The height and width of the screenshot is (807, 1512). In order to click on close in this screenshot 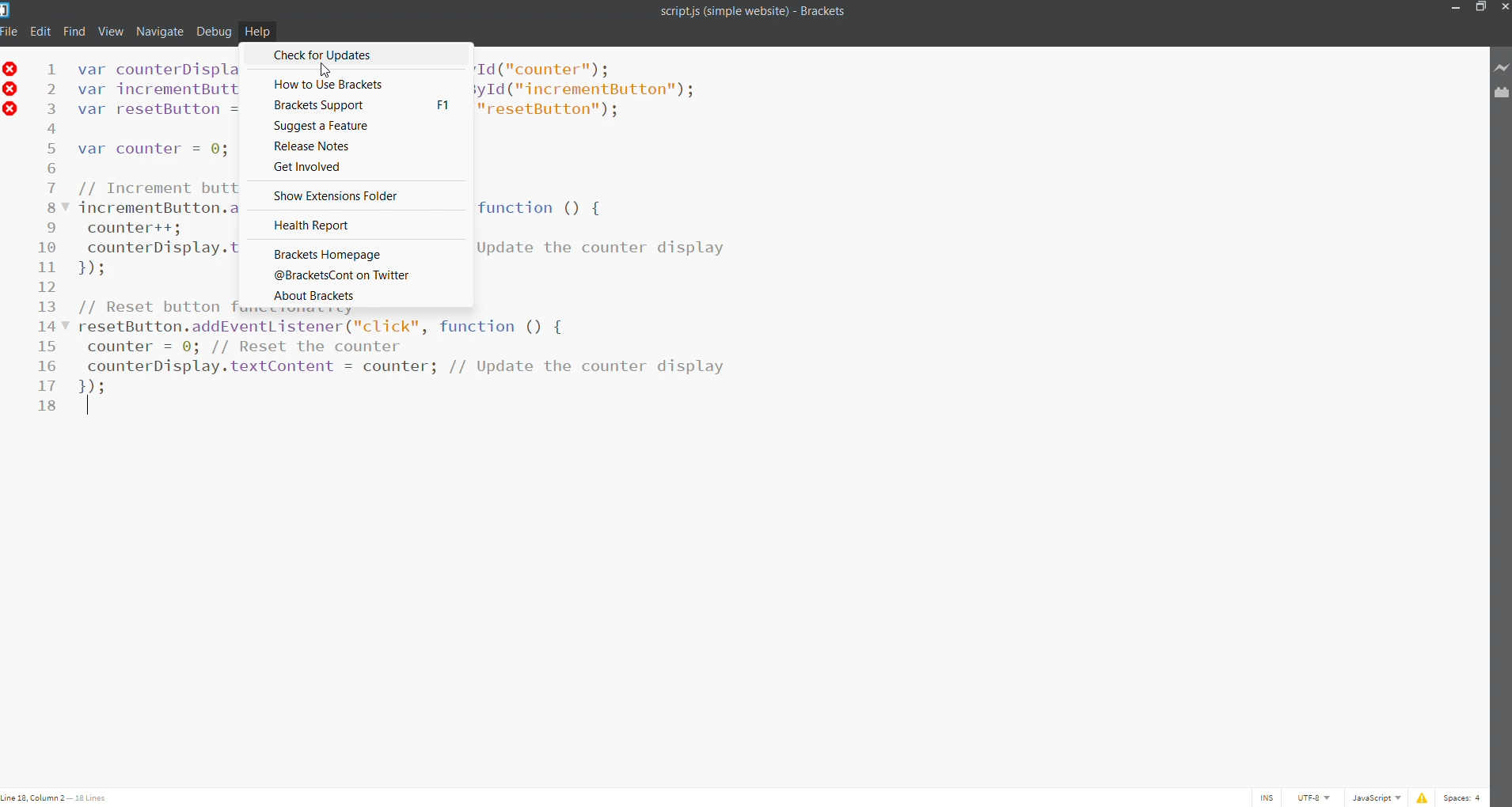, I will do `click(1503, 7)`.